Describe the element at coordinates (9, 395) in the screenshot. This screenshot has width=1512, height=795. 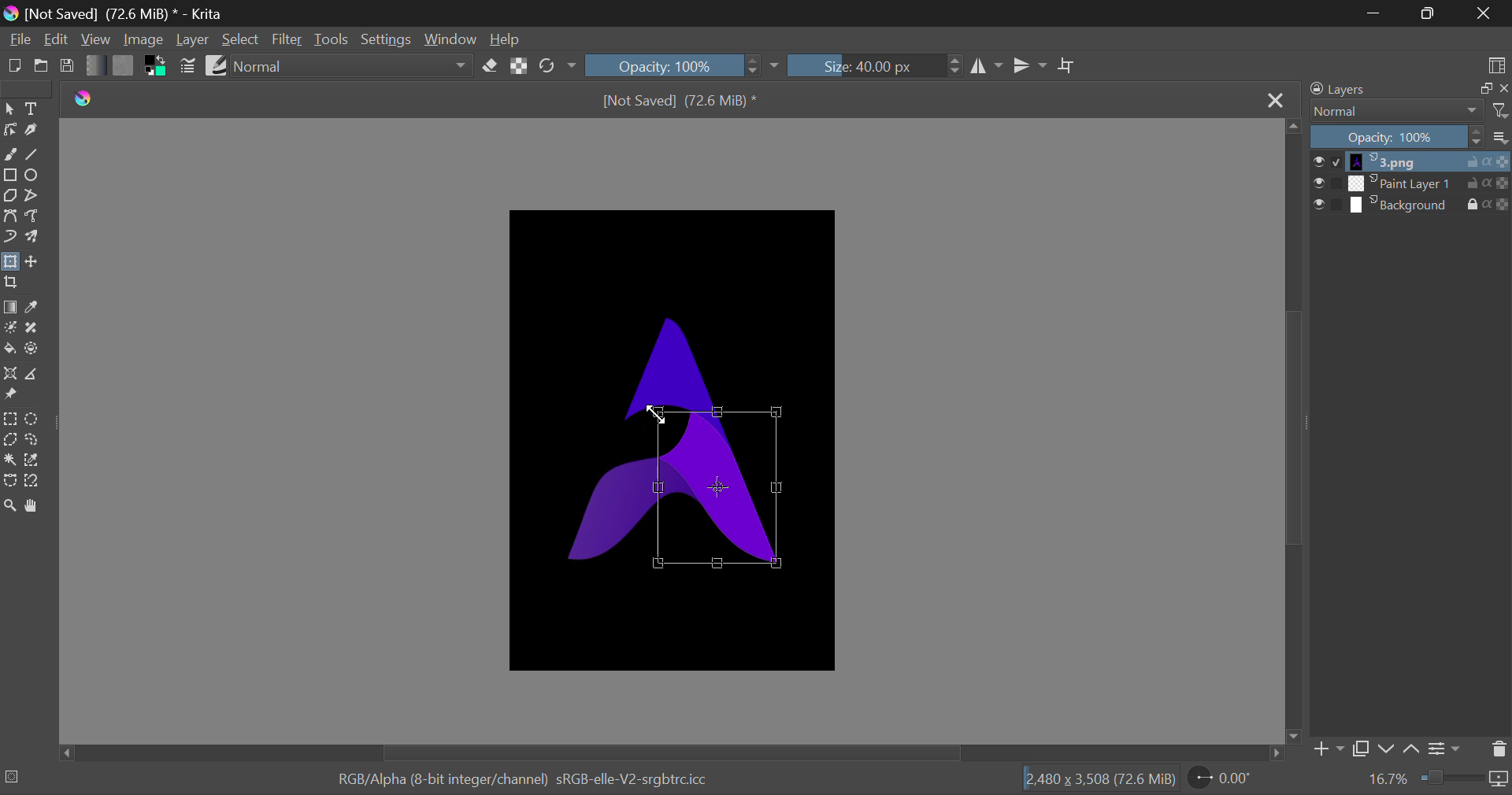
I see `Reference Images` at that location.